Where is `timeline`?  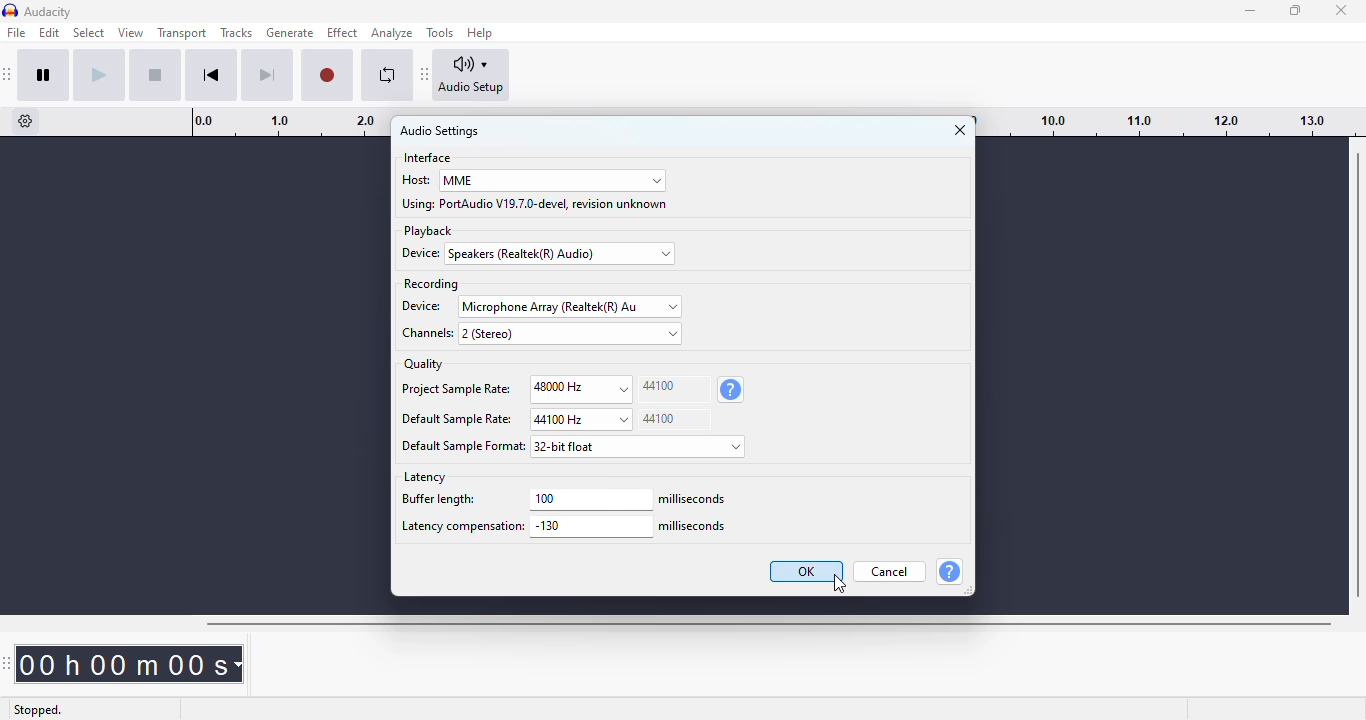
timeline is located at coordinates (1171, 121).